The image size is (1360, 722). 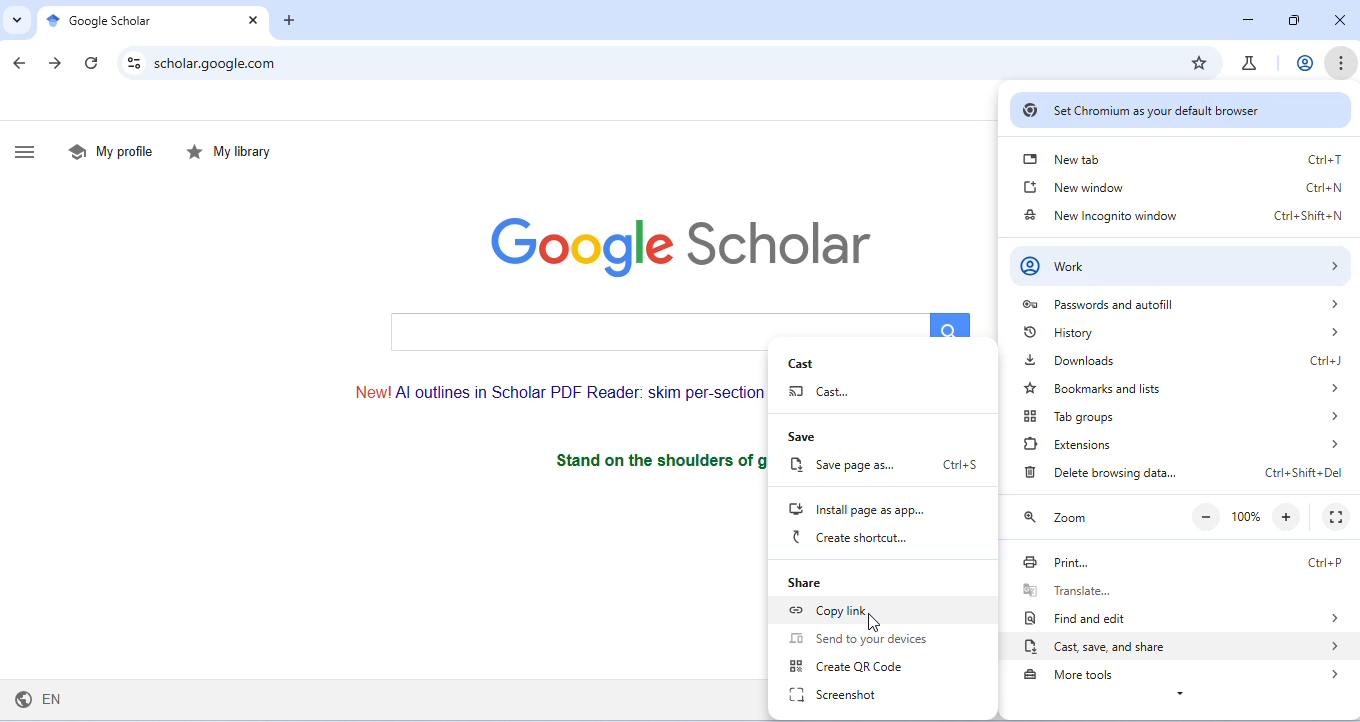 I want to click on send to devices, so click(x=868, y=639).